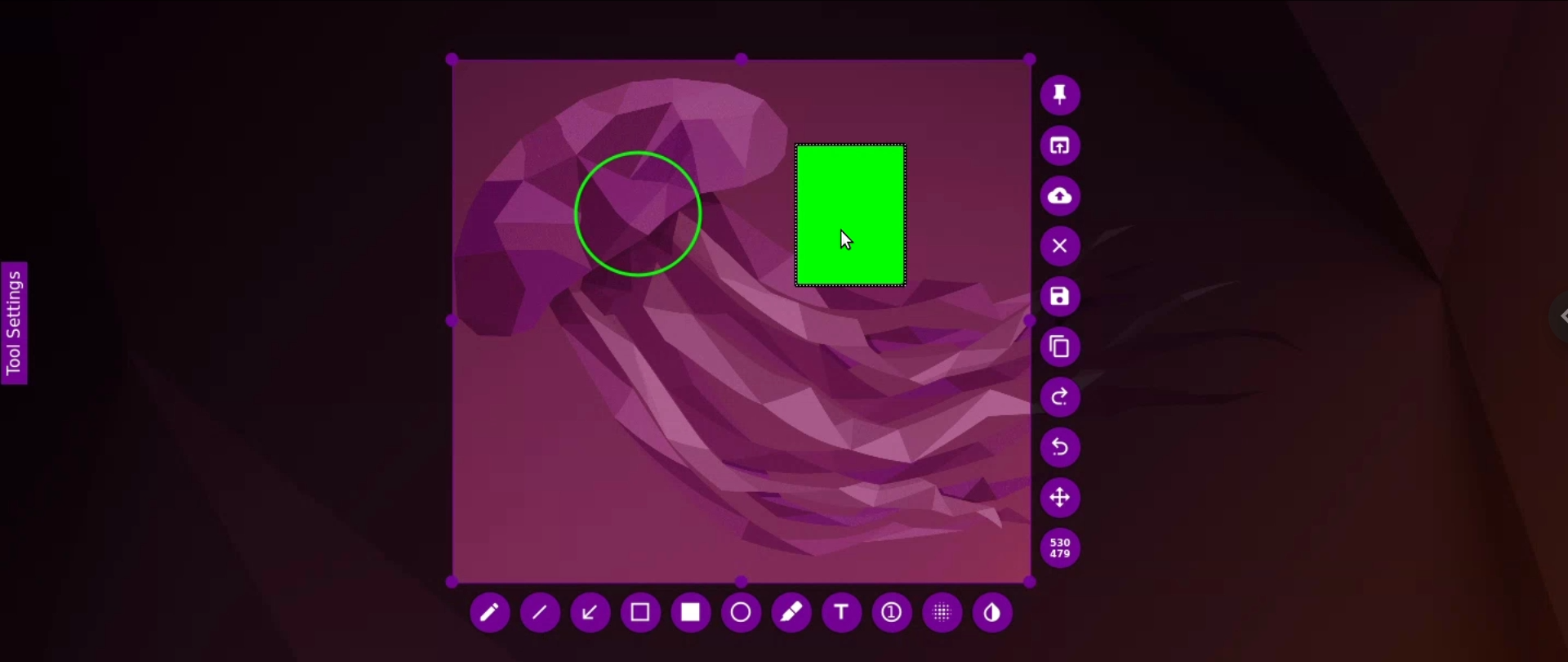 This screenshot has width=1568, height=662. Describe the element at coordinates (843, 613) in the screenshot. I see `add text` at that location.